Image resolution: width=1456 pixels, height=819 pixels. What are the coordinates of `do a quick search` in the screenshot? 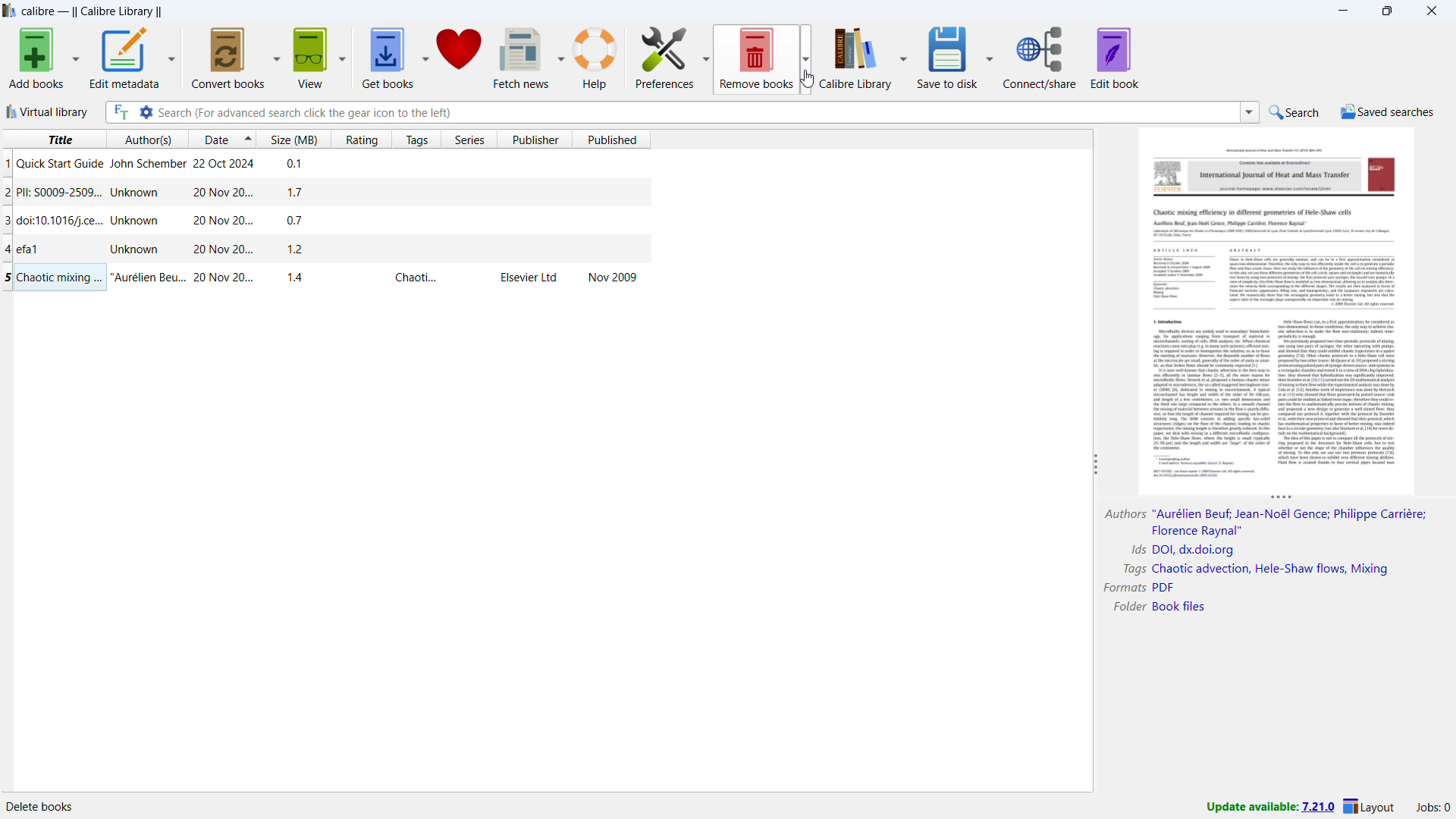 It's located at (1295, 113).